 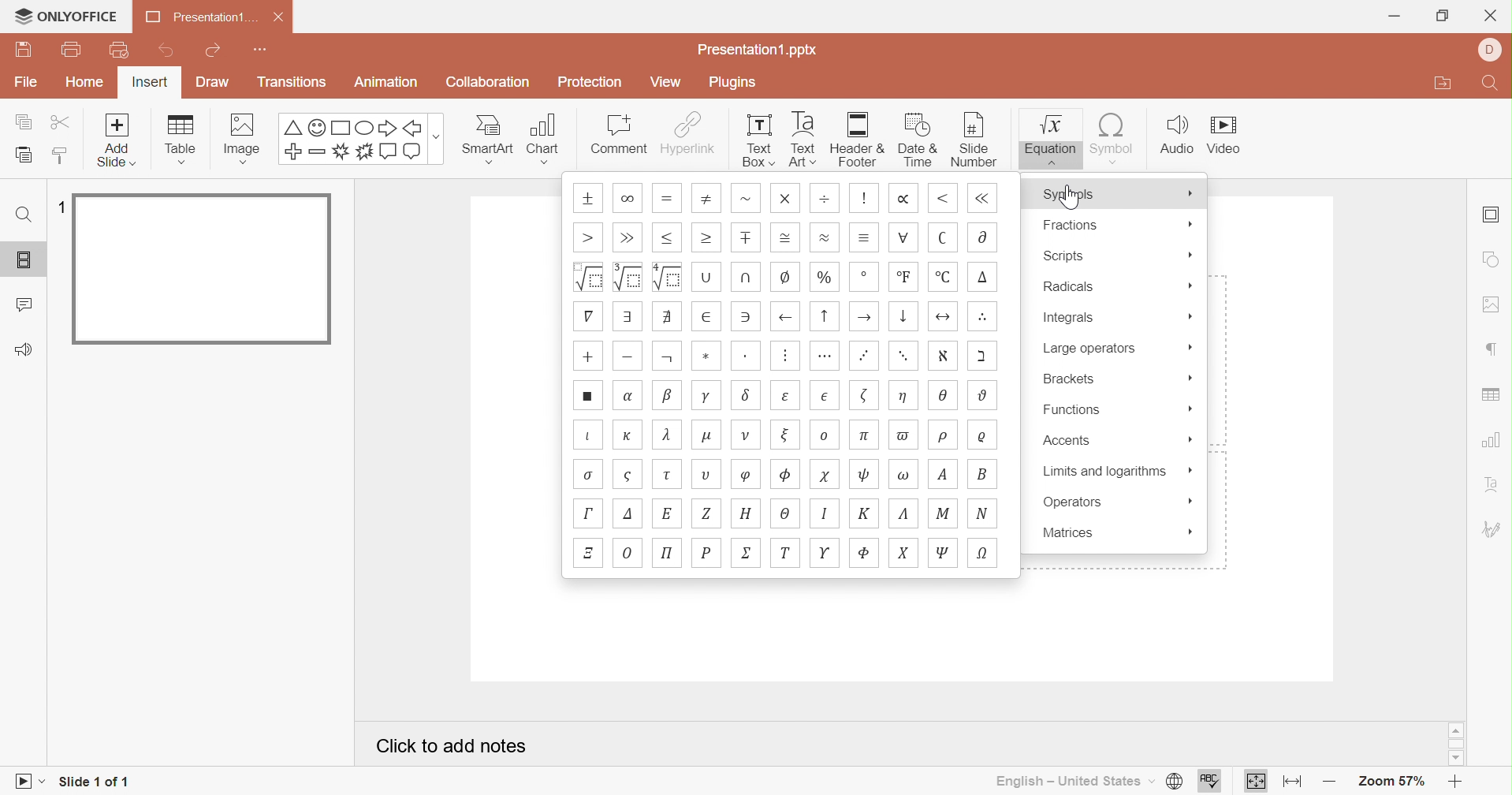 I want to click on Scroll Up, so click(x=1454, y=730).